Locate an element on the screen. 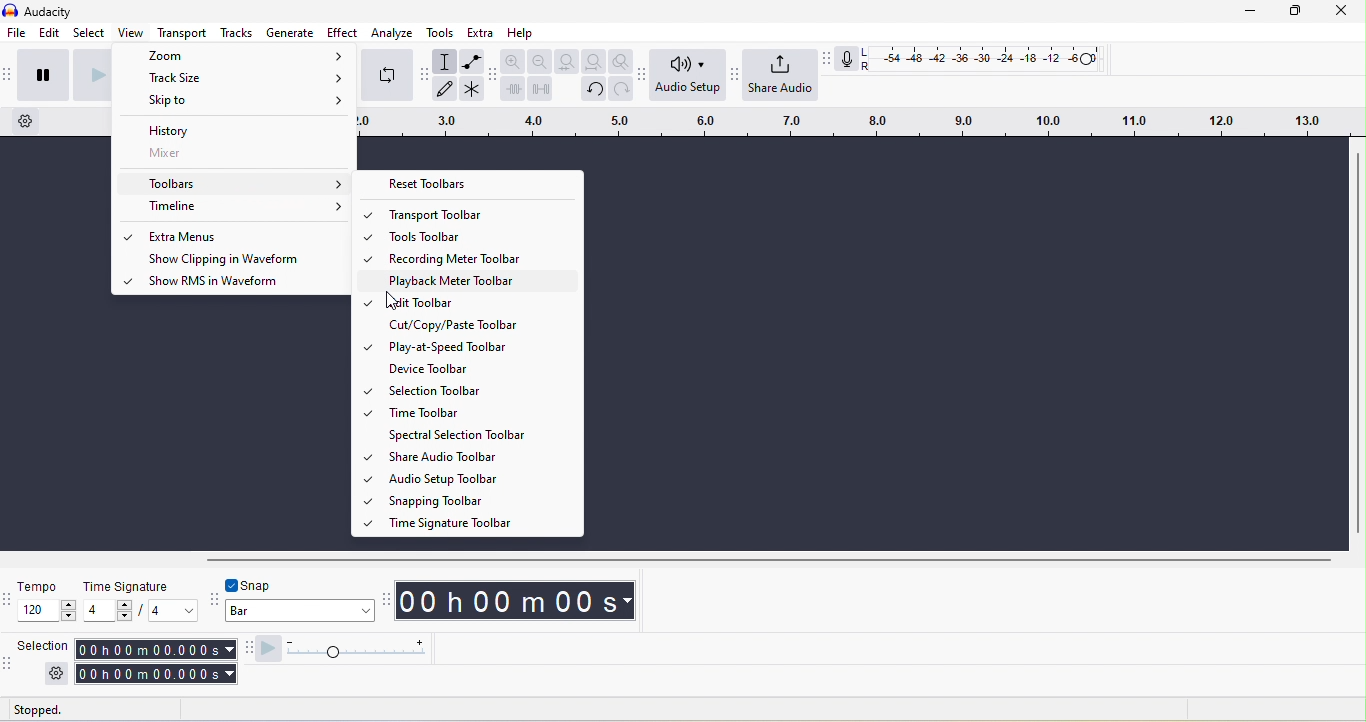  Edit toolbar is located at coordinates (479, 301).